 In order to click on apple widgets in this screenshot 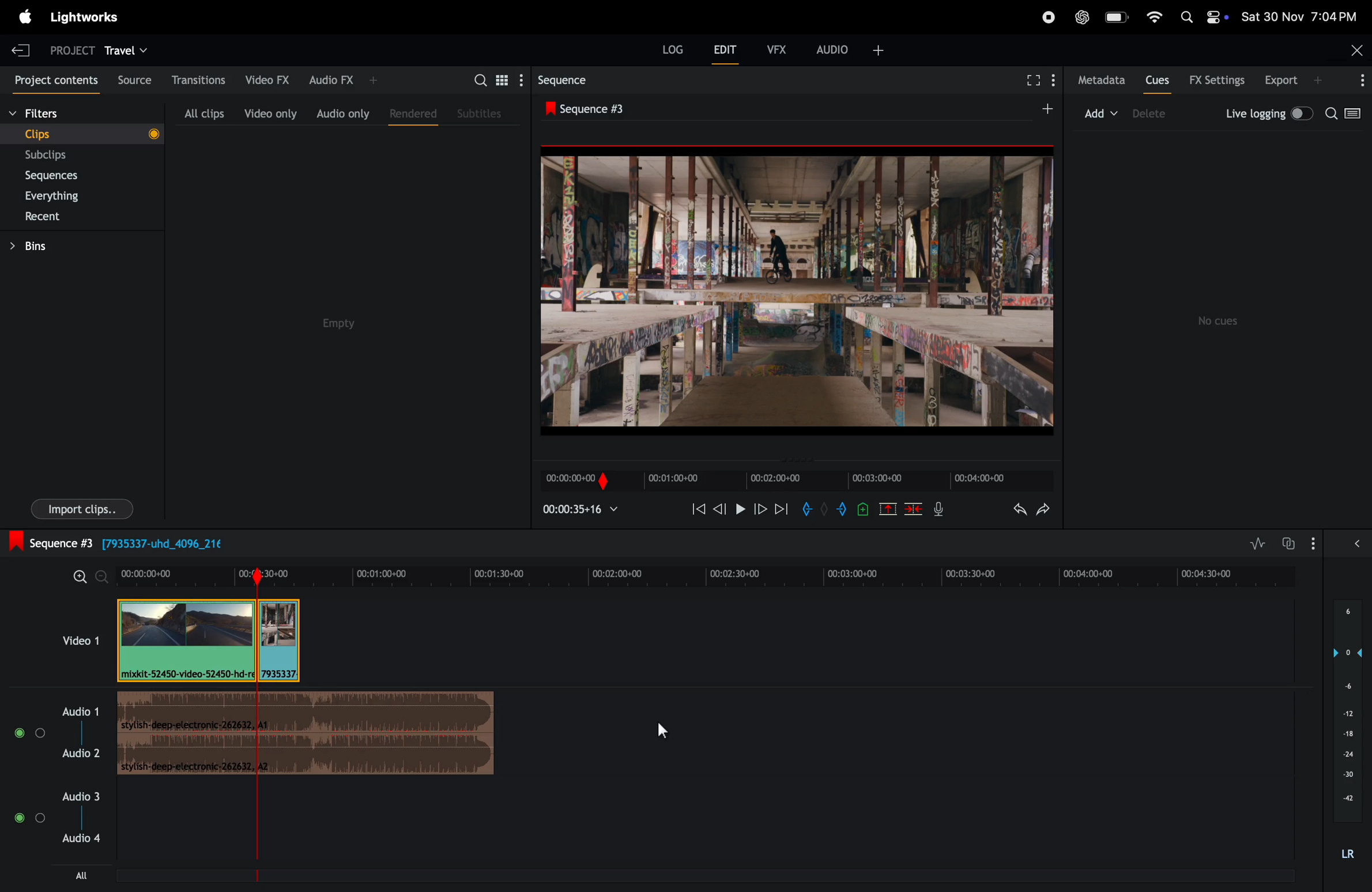, I will do `click(1204, 16)`.